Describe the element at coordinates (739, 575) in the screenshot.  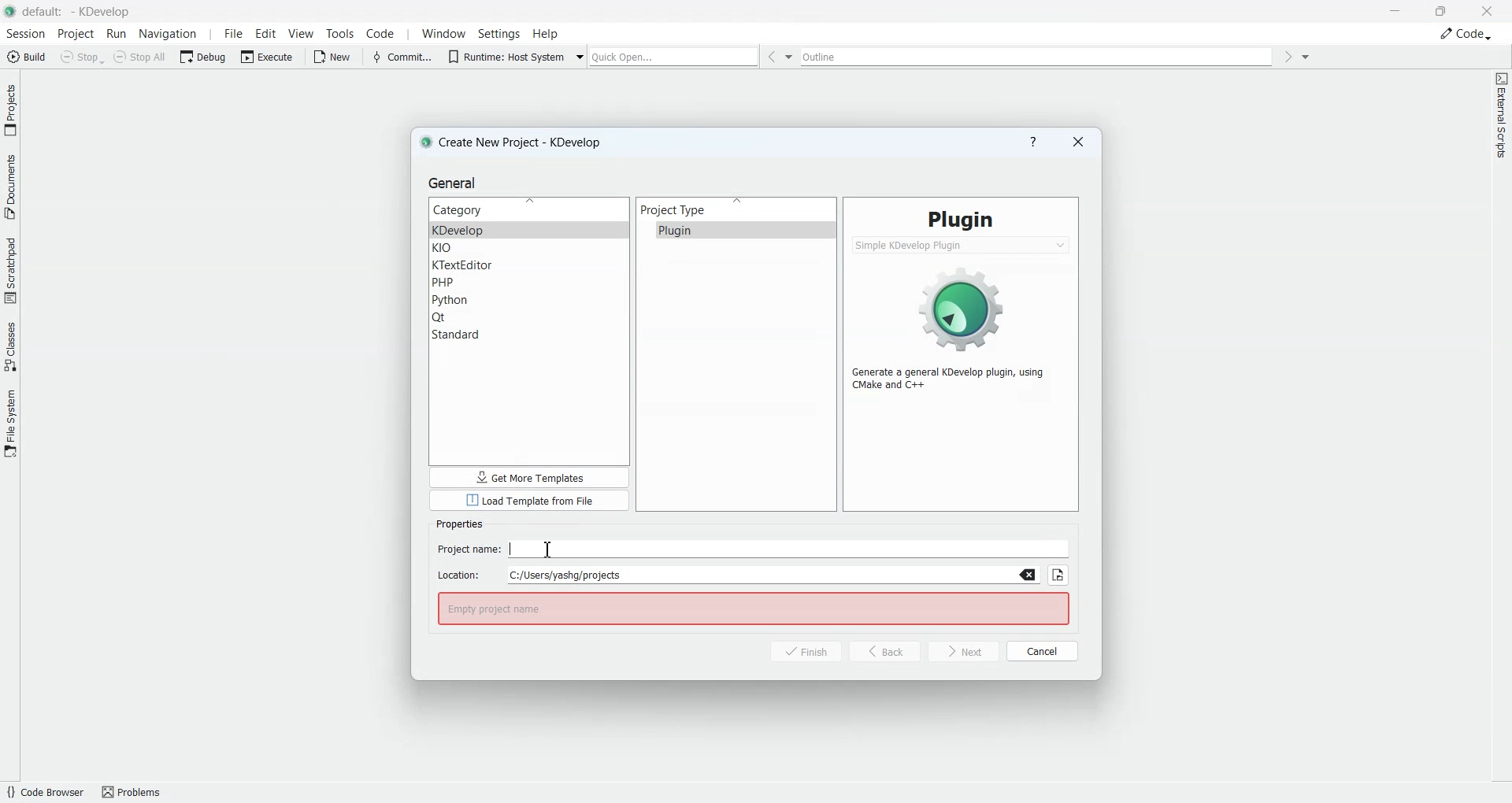
I see `File Path address` at that location.